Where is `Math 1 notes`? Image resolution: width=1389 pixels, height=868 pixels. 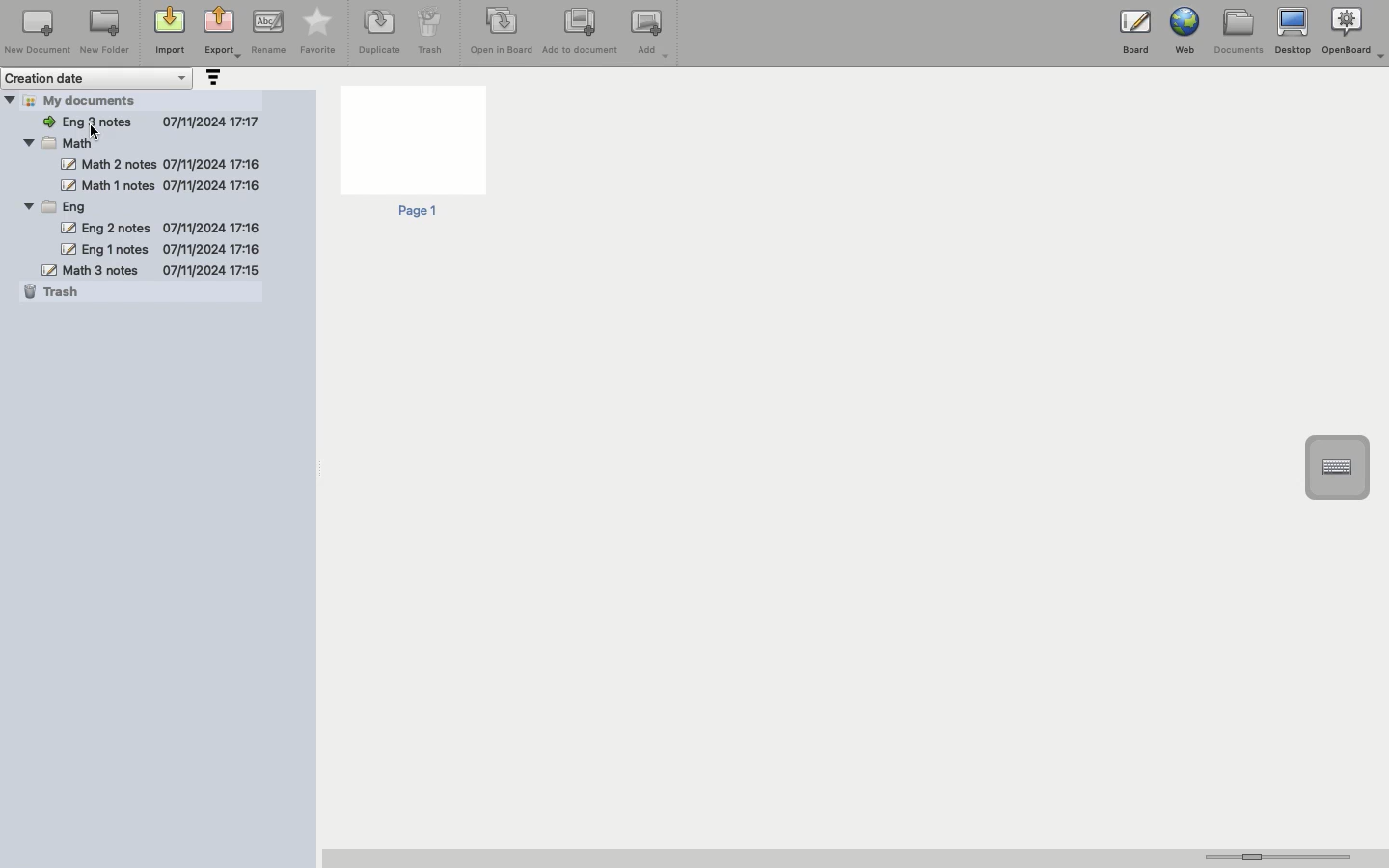
Math 1 notes is located at coordinates (158, 185).